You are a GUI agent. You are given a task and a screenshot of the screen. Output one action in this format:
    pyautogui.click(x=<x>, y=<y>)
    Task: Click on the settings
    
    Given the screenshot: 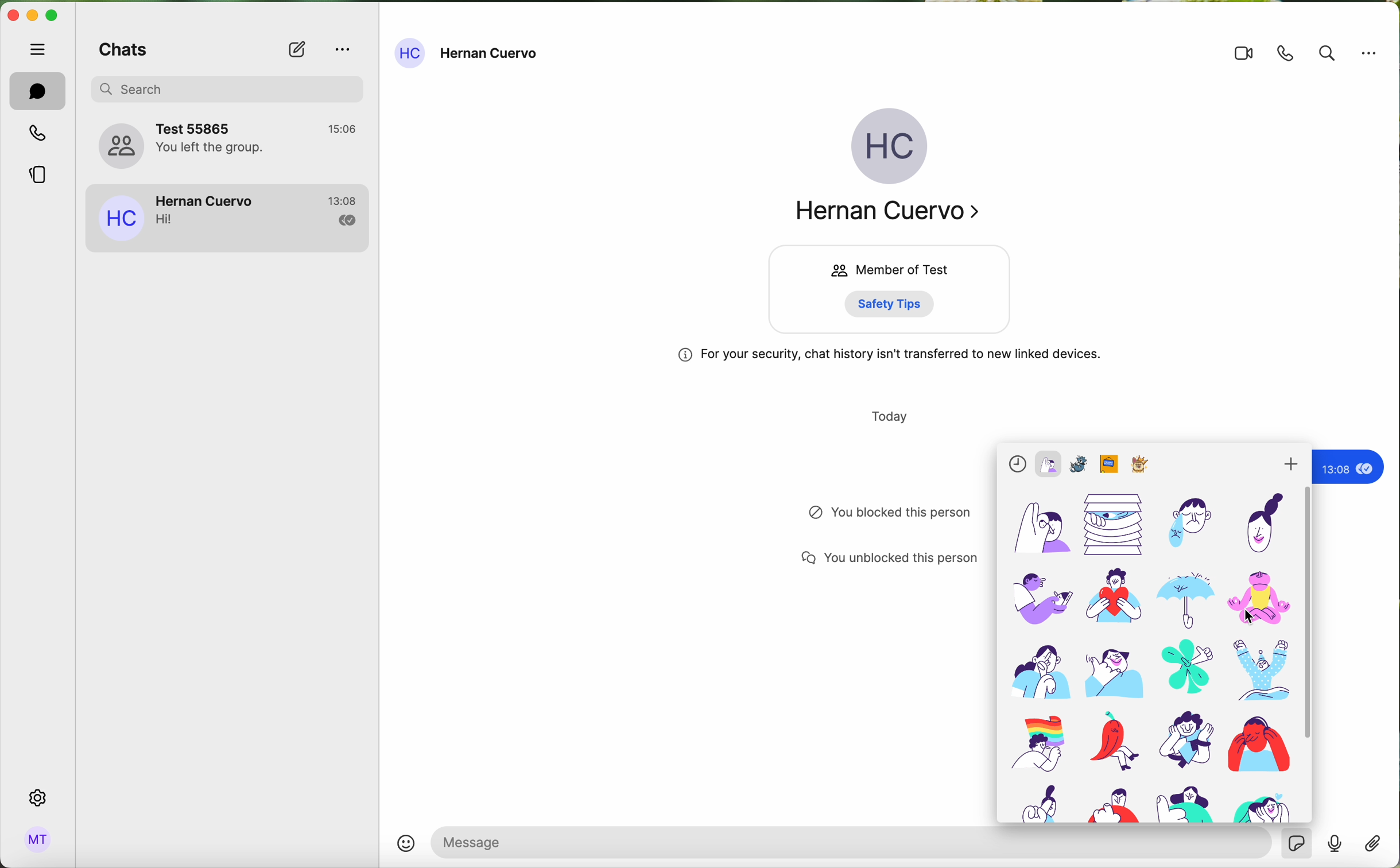 What is the action you would take?
    pyautogui.click(x=39, y=797)
    